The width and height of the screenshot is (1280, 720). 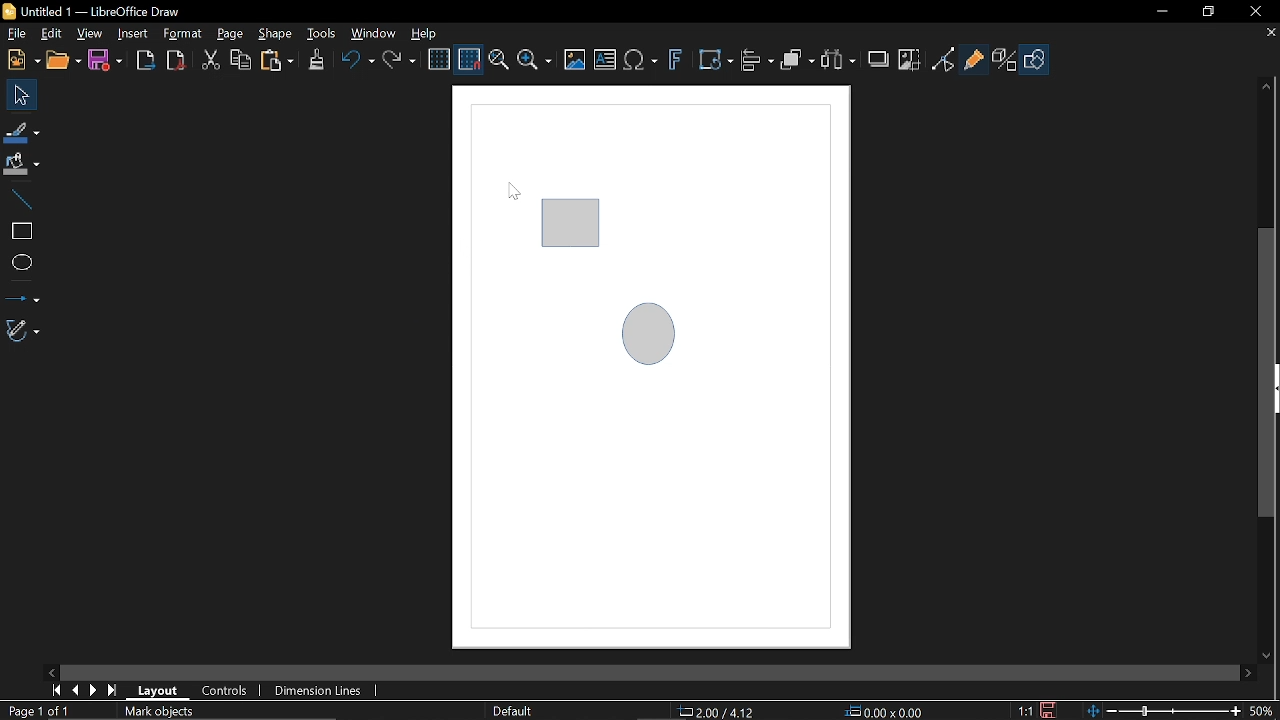 I want to click on Close, so click(x=1258, y=11).